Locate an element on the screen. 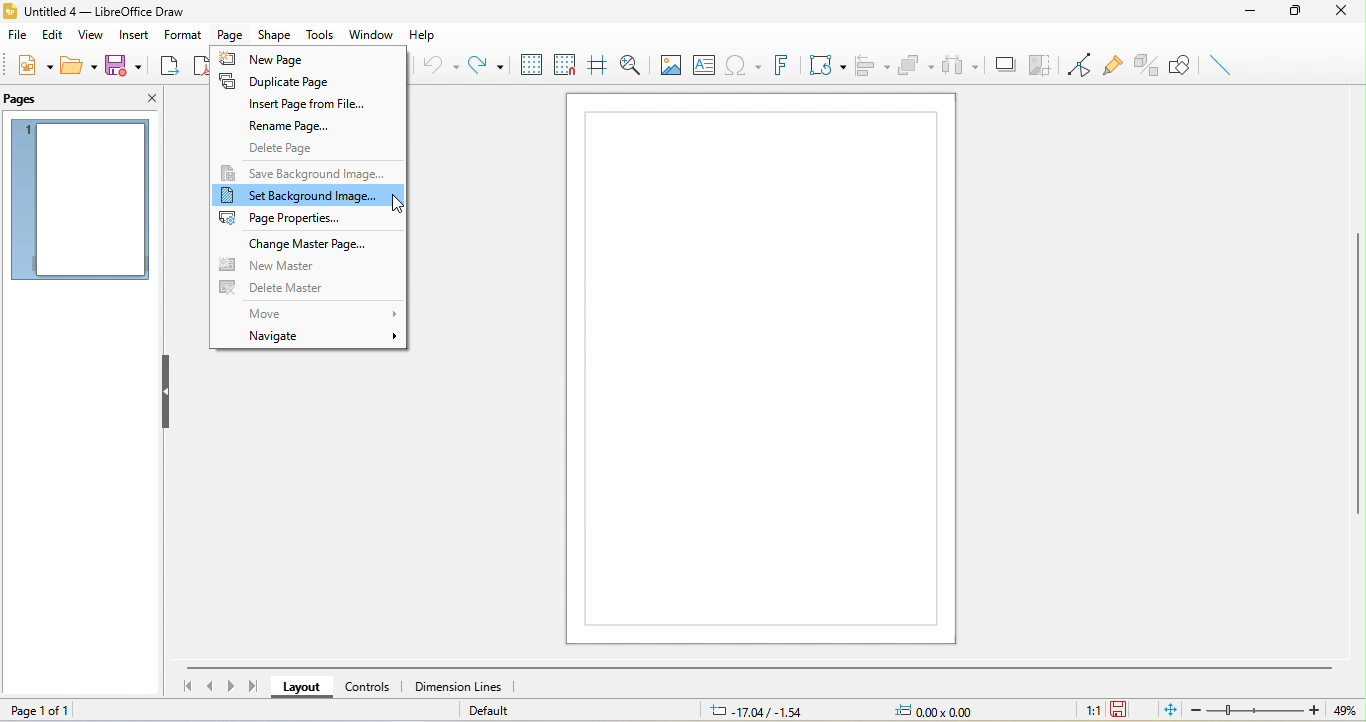 The height and width of the screenshot is (722, 1366). insert is located at coordinates (135, 35).